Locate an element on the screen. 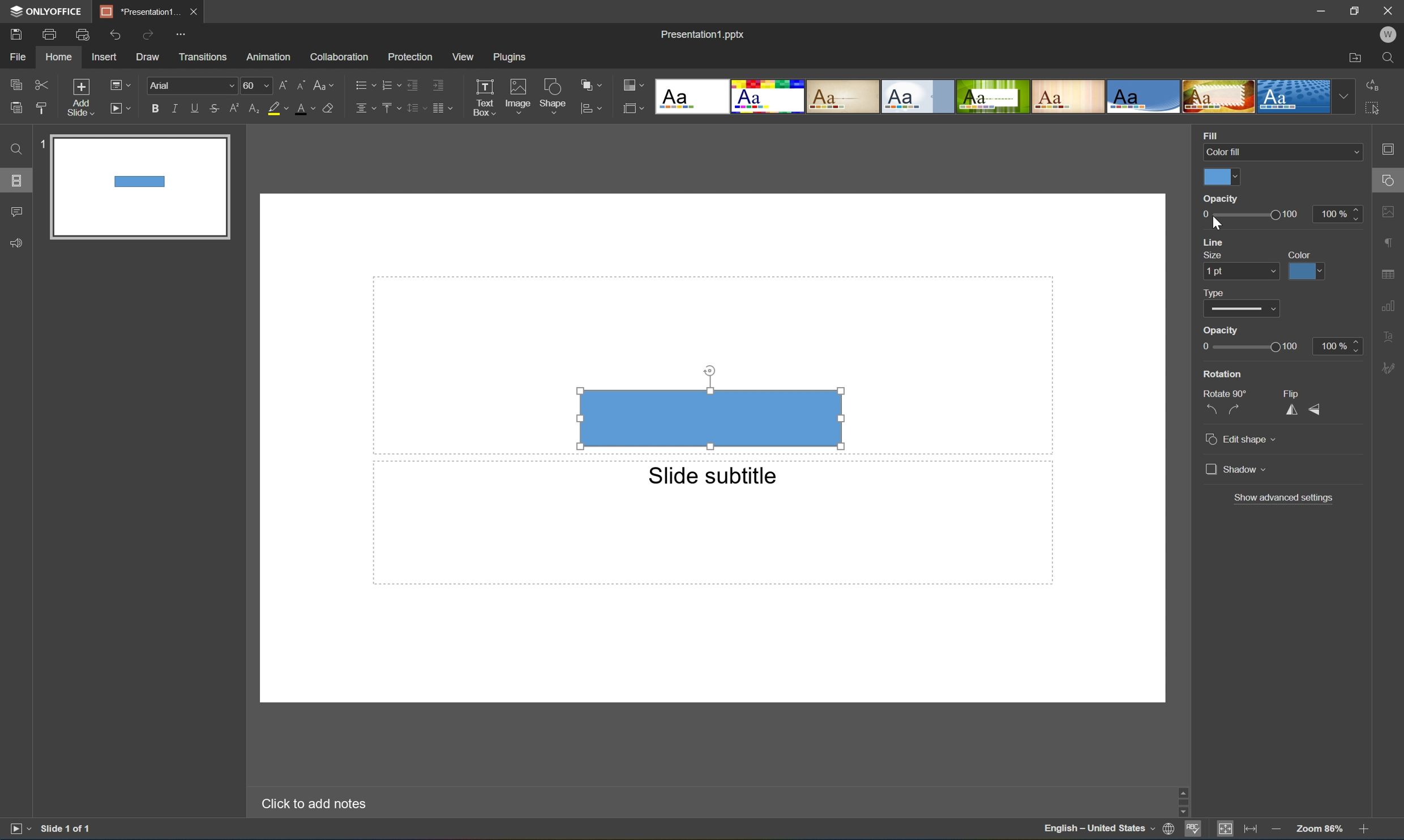  Decrease indent is located at coordinates (413, 83).